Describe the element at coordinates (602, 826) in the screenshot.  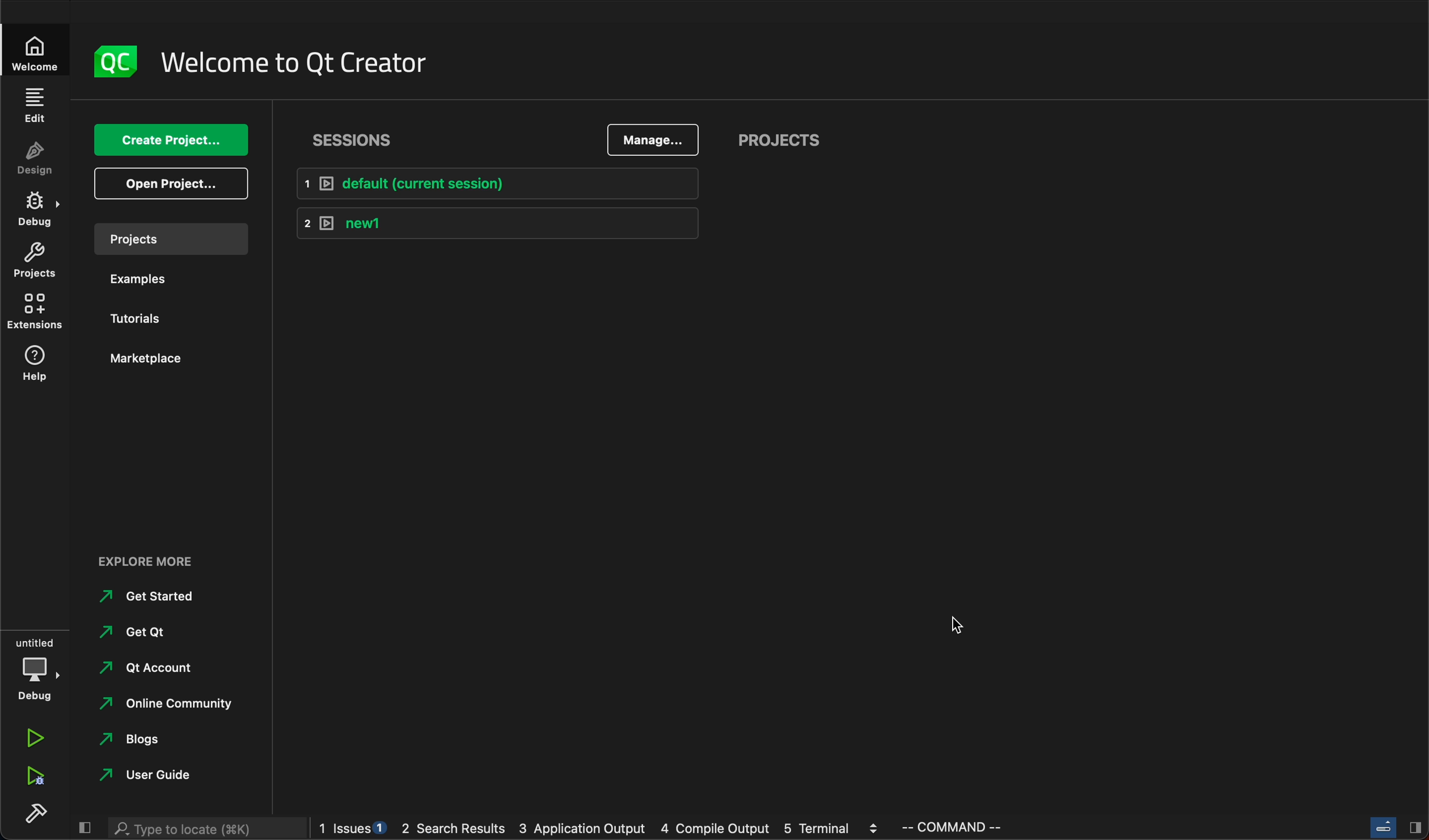
I see `blogs` at that location.